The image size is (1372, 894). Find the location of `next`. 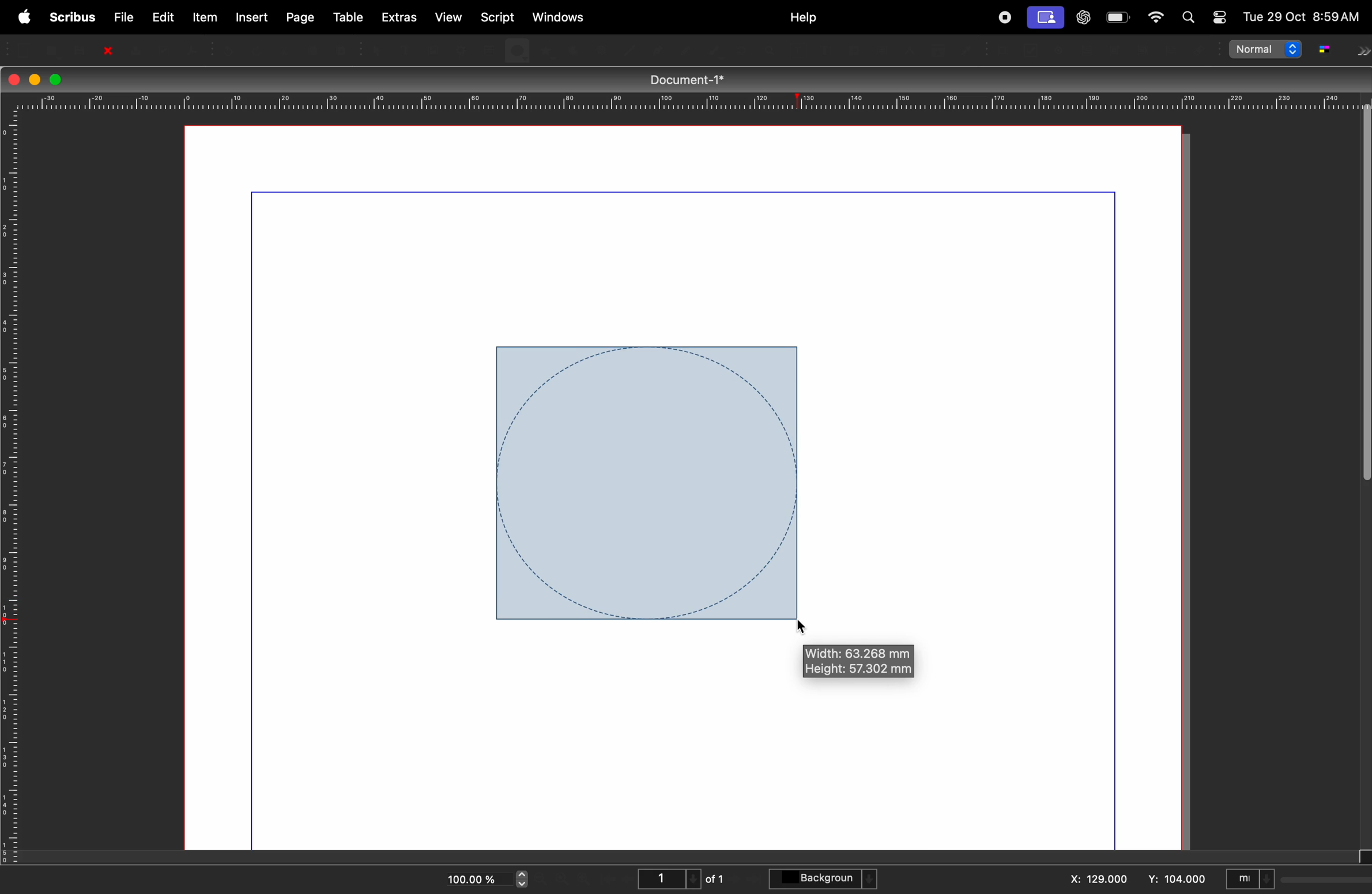

next is located at coordinates (1362, 52).